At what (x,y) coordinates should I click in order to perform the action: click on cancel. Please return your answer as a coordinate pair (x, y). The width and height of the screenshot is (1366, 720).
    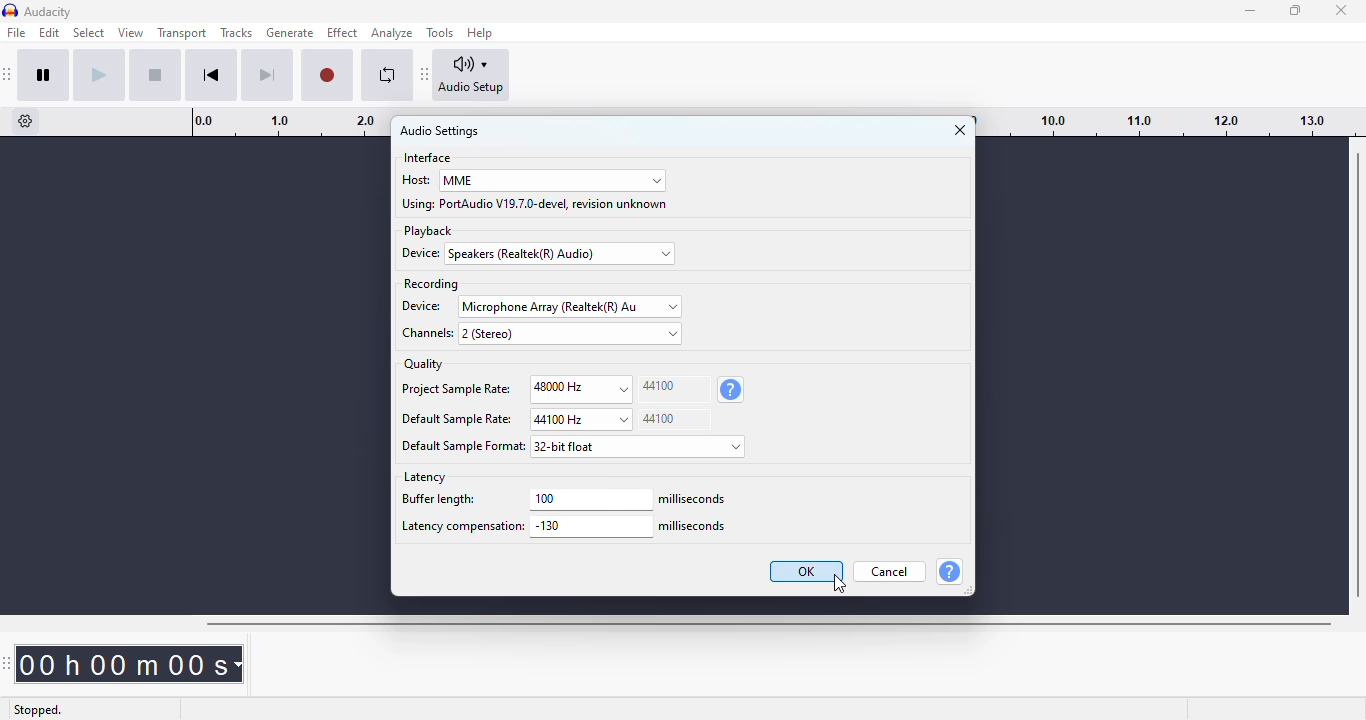
    Looking at the image, I should click on (890, 571).